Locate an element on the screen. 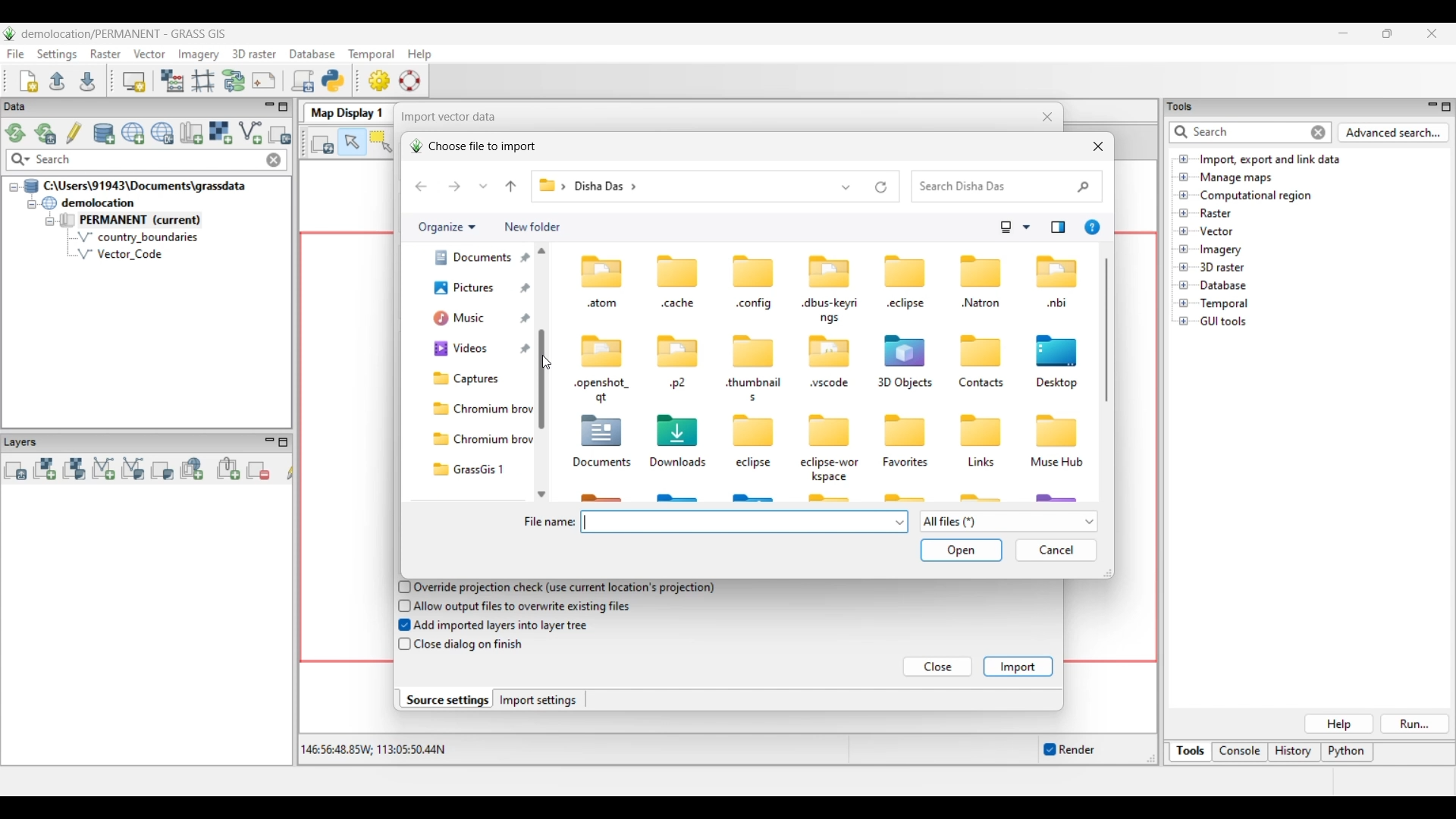 This screenshot has height=819, width=1456. Click to open Database is located at coordinates (1184, 285).